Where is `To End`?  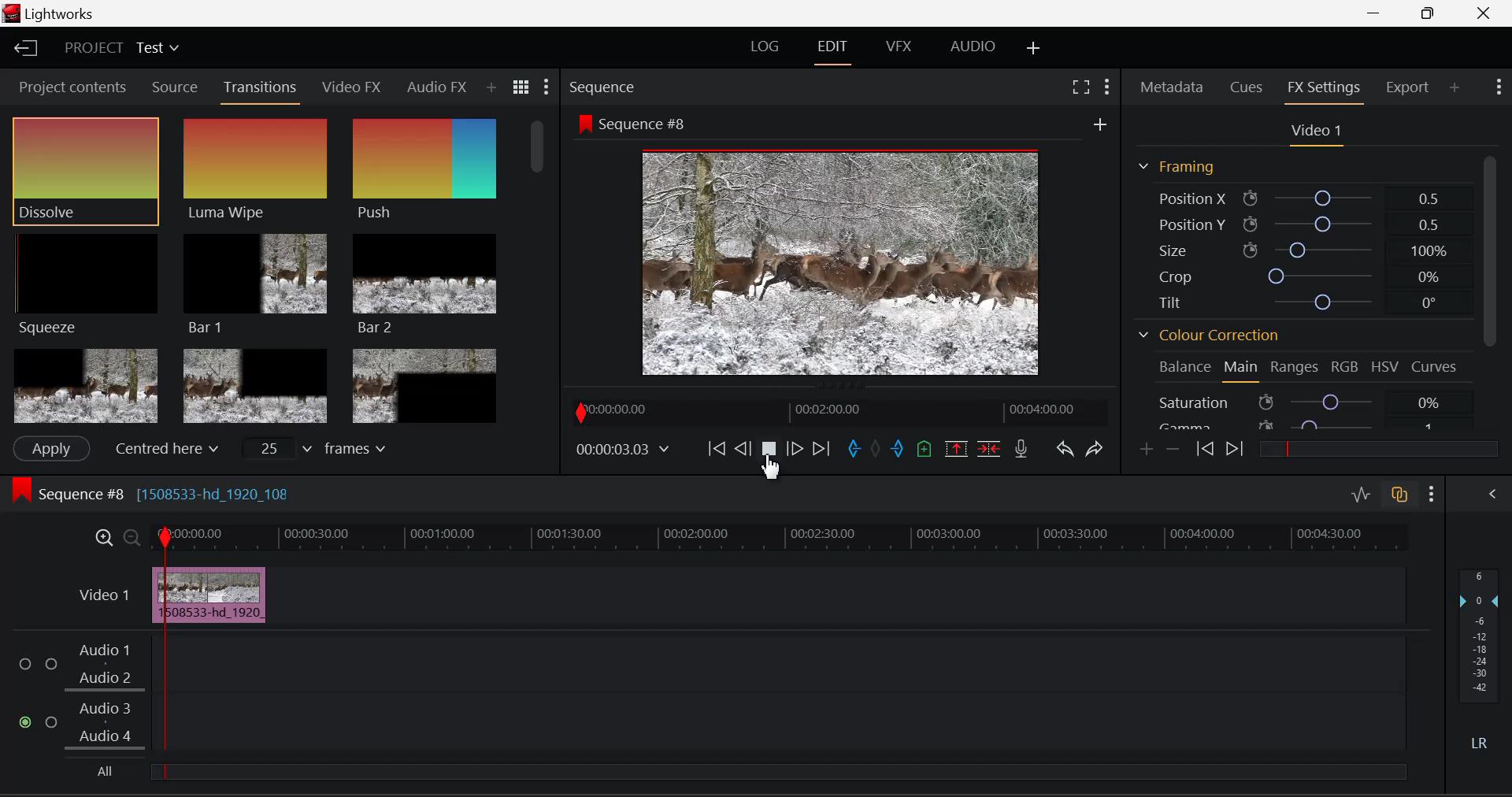 To End is located at coordinates (822, 451).